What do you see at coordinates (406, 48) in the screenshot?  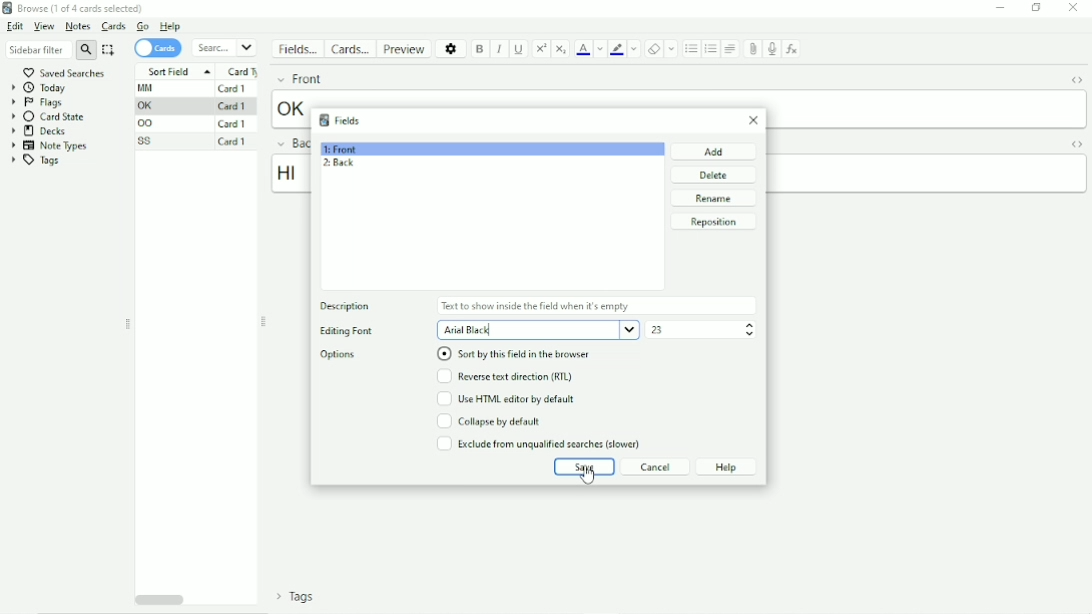 I see `Preview` at bounding box center [406, 48].